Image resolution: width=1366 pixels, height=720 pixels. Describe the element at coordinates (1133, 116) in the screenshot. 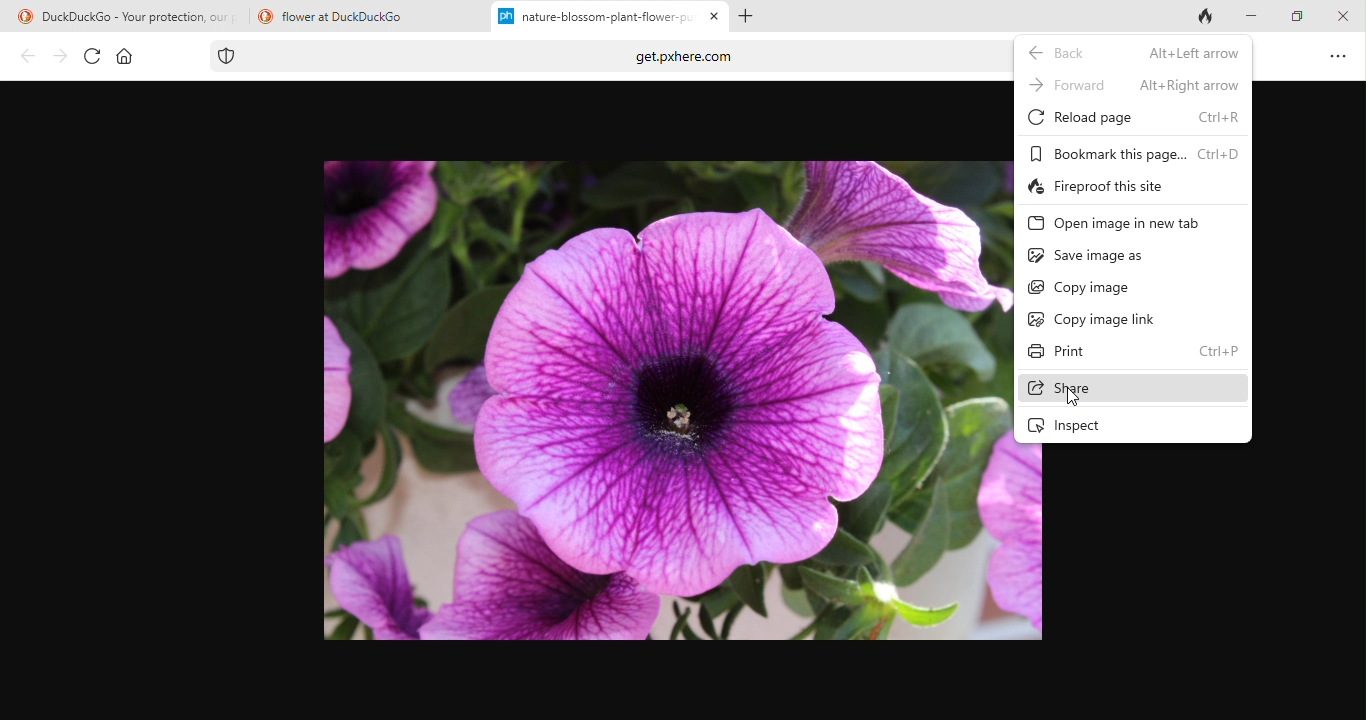

I see `reload page` at that location.